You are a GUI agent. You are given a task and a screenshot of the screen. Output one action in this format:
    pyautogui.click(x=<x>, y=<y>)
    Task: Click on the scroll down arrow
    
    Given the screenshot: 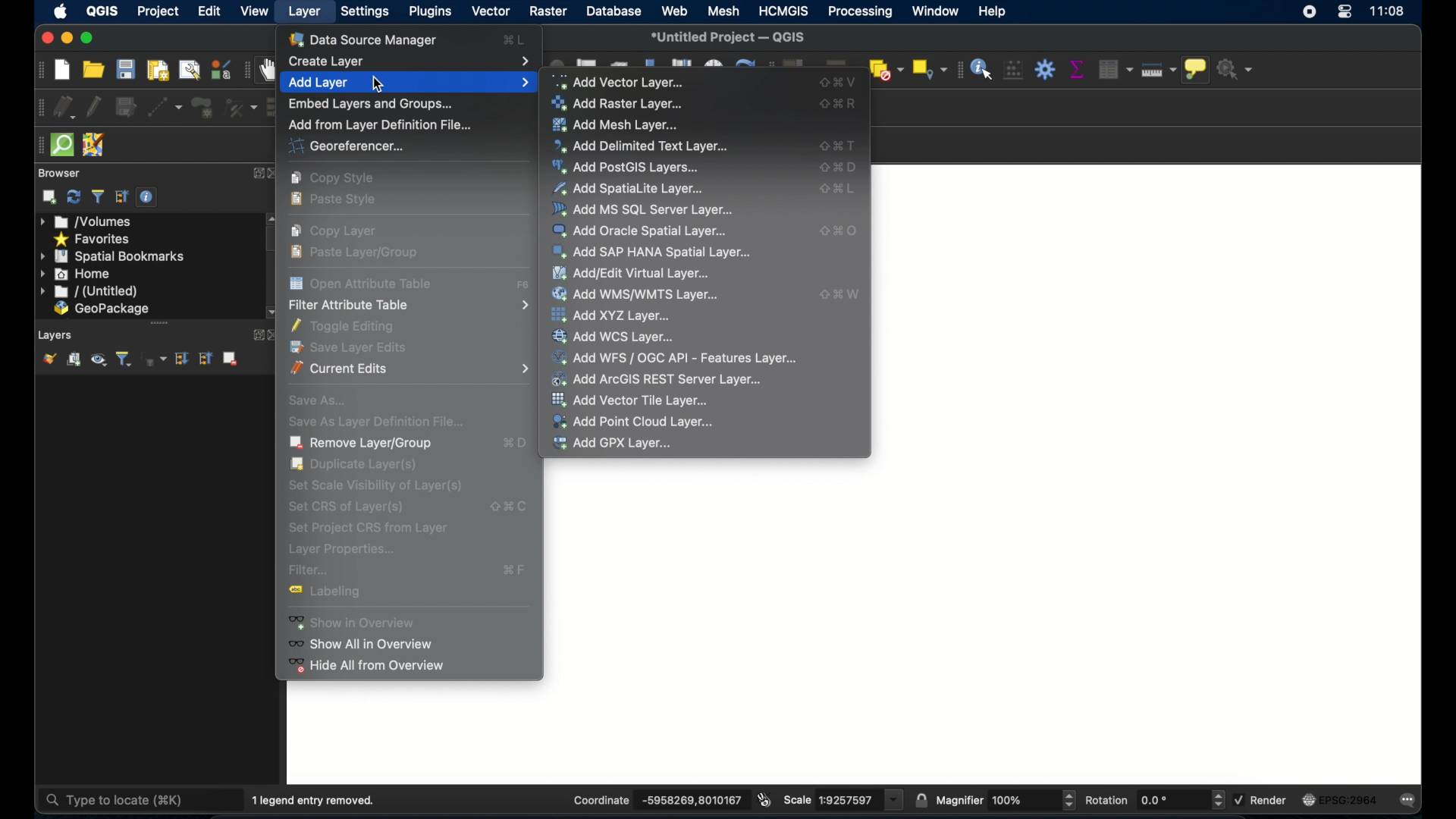 What is the action you would take?
    pyautogui.click(x=271, y=312)
    